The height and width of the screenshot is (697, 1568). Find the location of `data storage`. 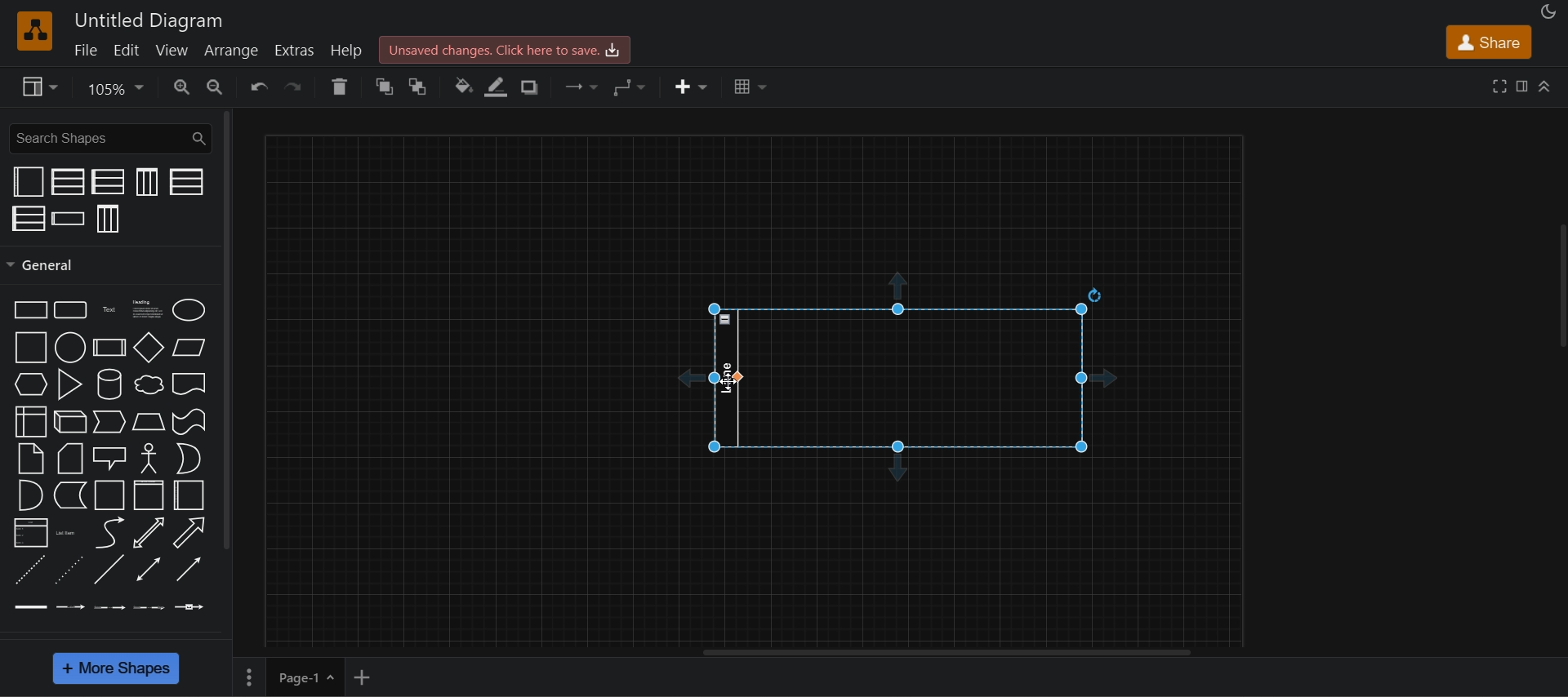

data storage is located at coordinates (69, 496).